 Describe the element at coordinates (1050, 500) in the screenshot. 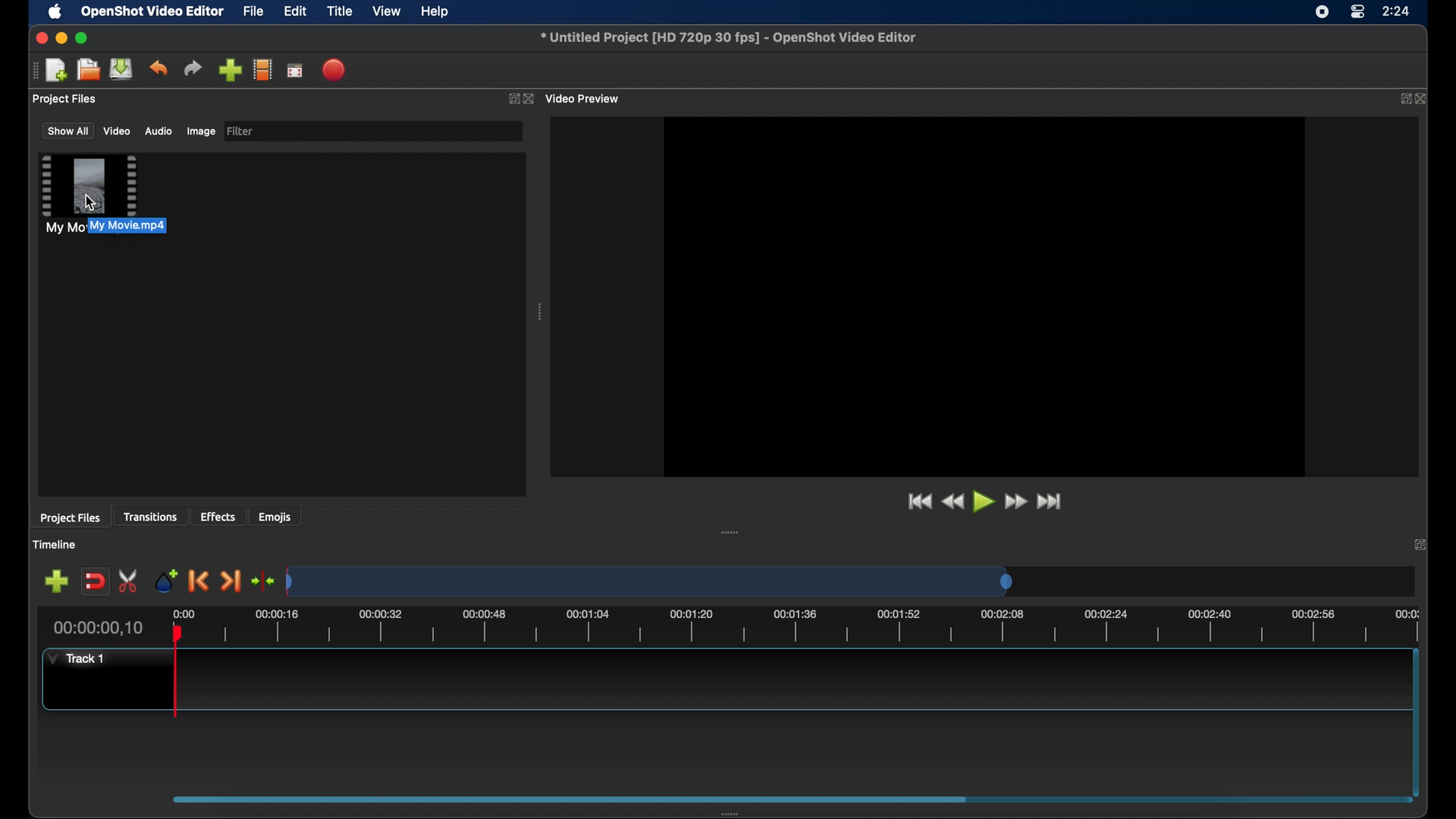

I see `jump to end` at that location.